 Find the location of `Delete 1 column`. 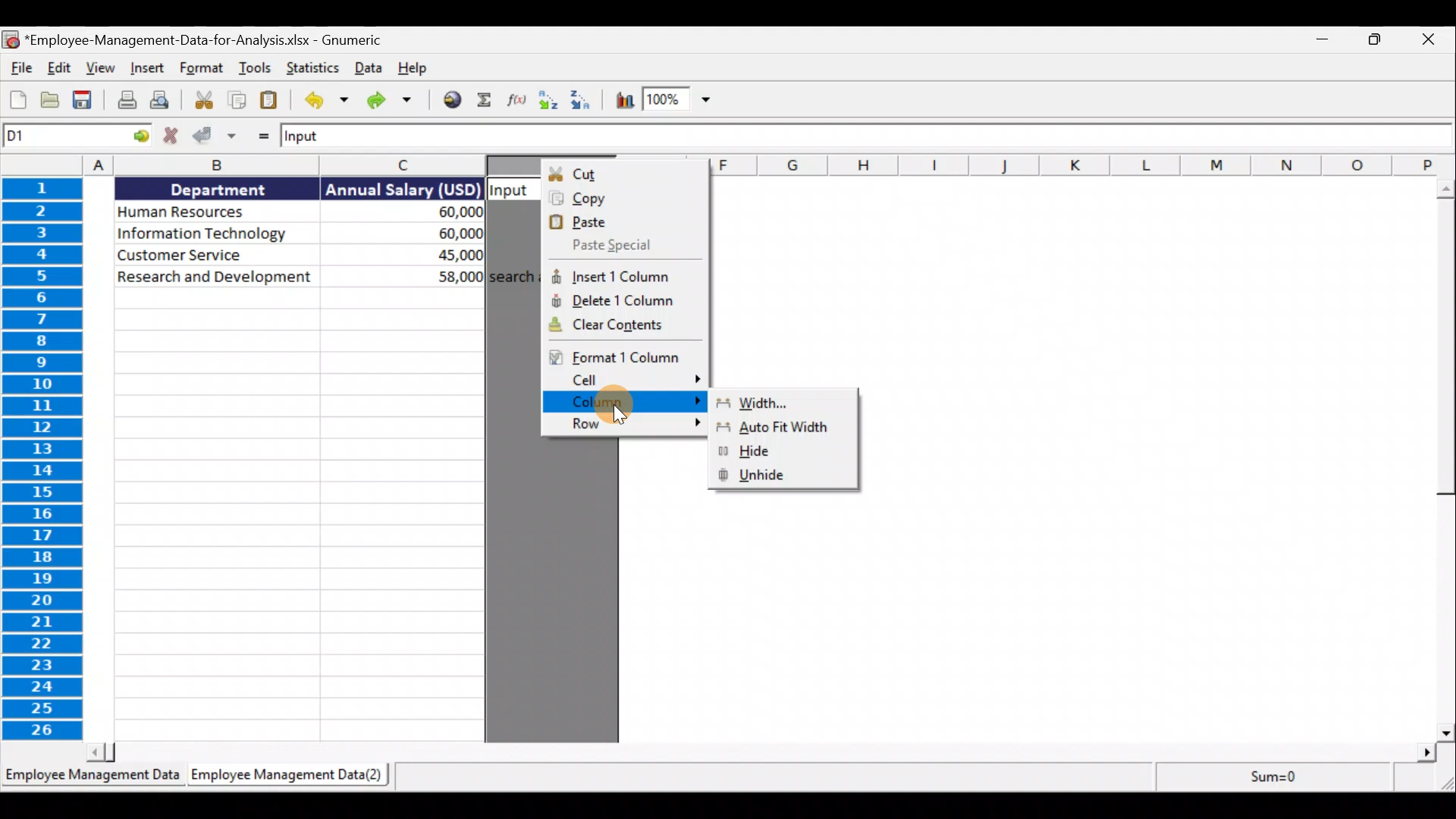

Delete 1 column is located at coordinates (623, 304).